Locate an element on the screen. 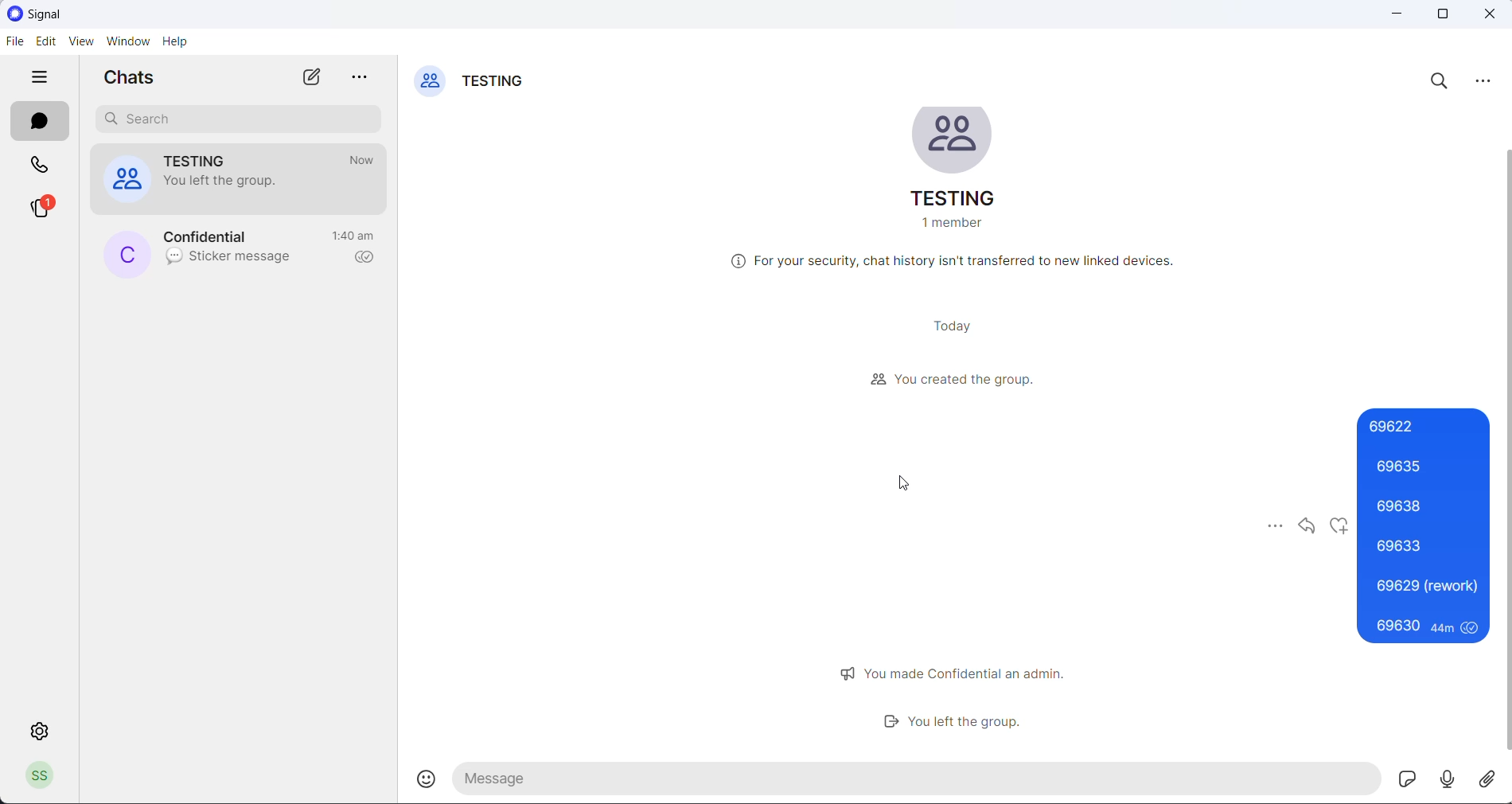  group creator is located at coordinates (948, 382).